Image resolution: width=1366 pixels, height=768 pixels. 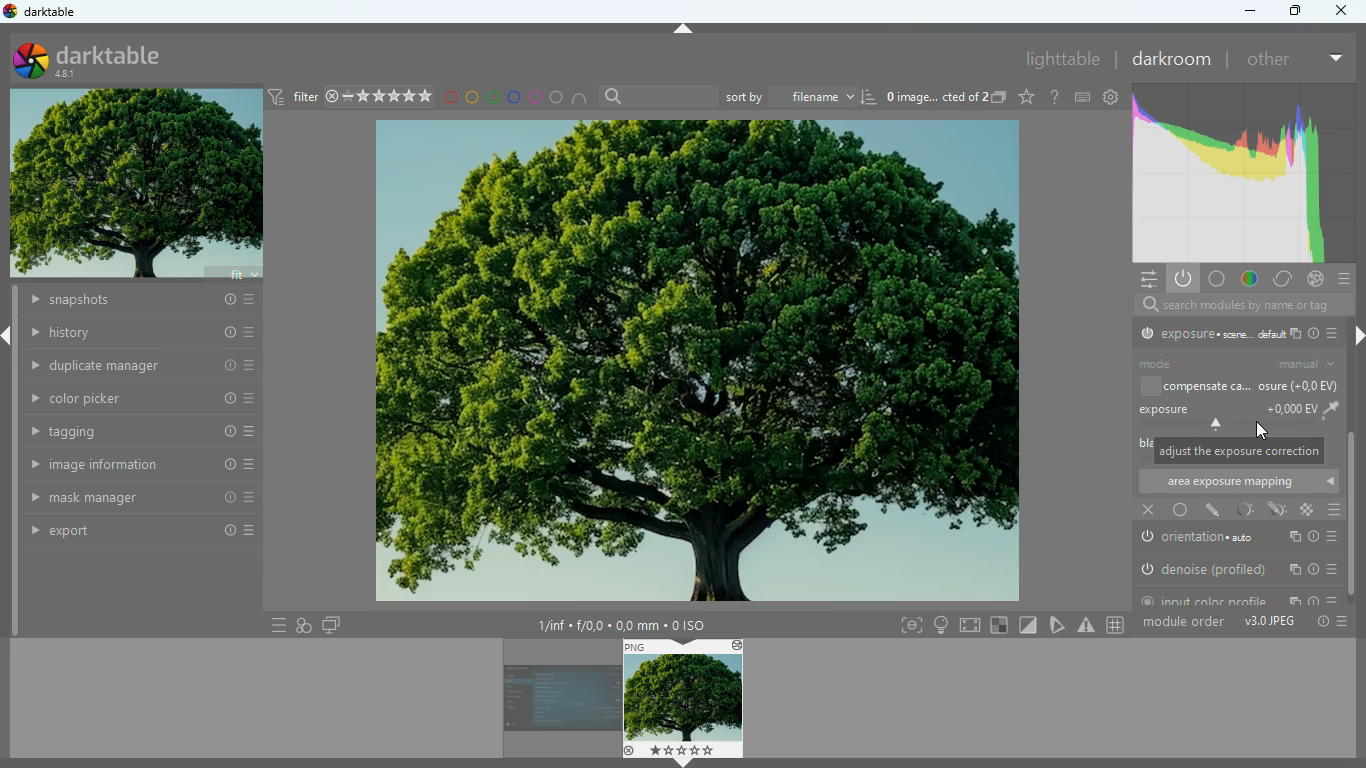 I want to click on power, so click(x=1184, y=278).